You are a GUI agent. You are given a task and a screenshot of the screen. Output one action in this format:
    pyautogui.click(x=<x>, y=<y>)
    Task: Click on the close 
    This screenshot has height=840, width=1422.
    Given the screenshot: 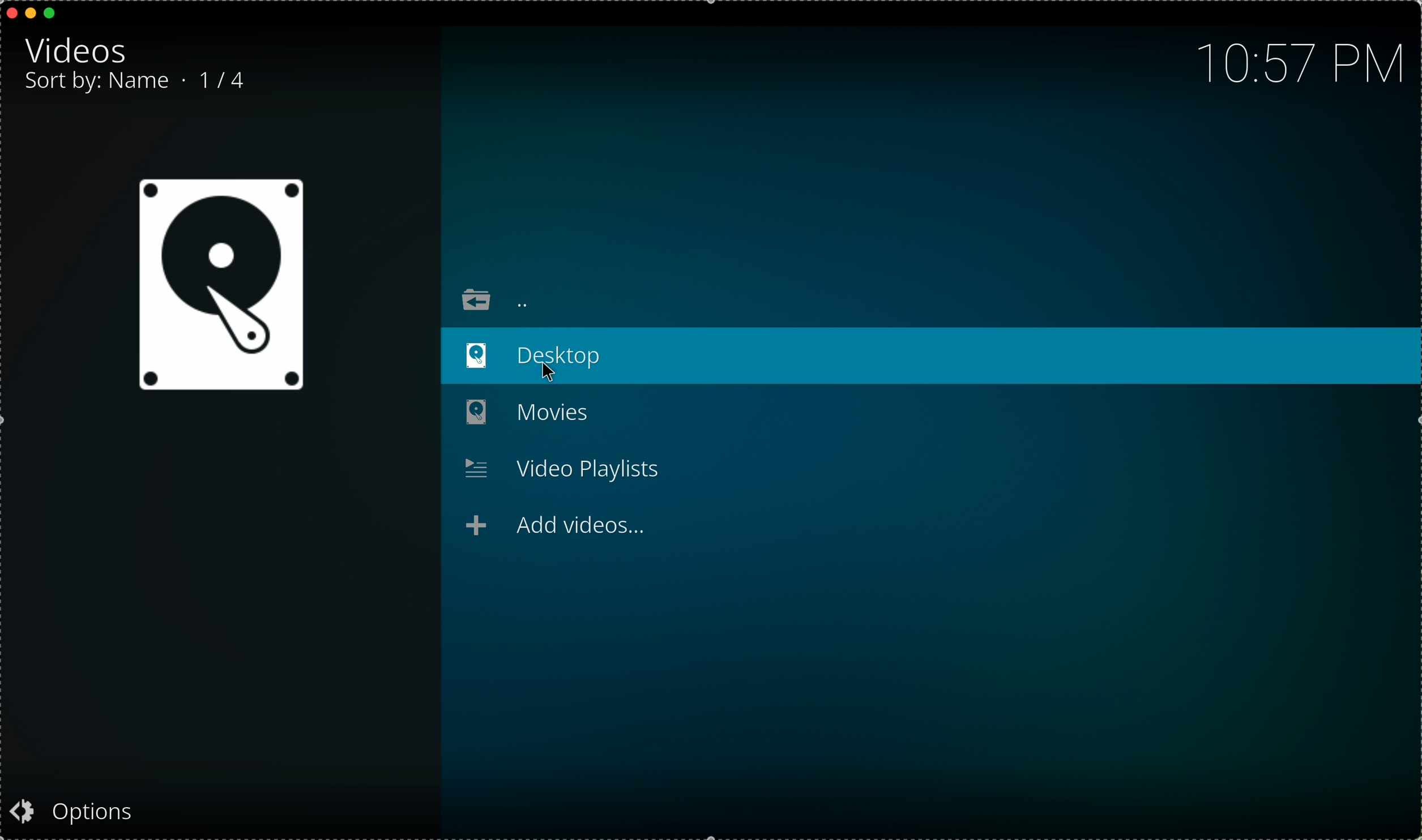 What is the action you would take?
    pyautogui.click(x=9, y=12)
    